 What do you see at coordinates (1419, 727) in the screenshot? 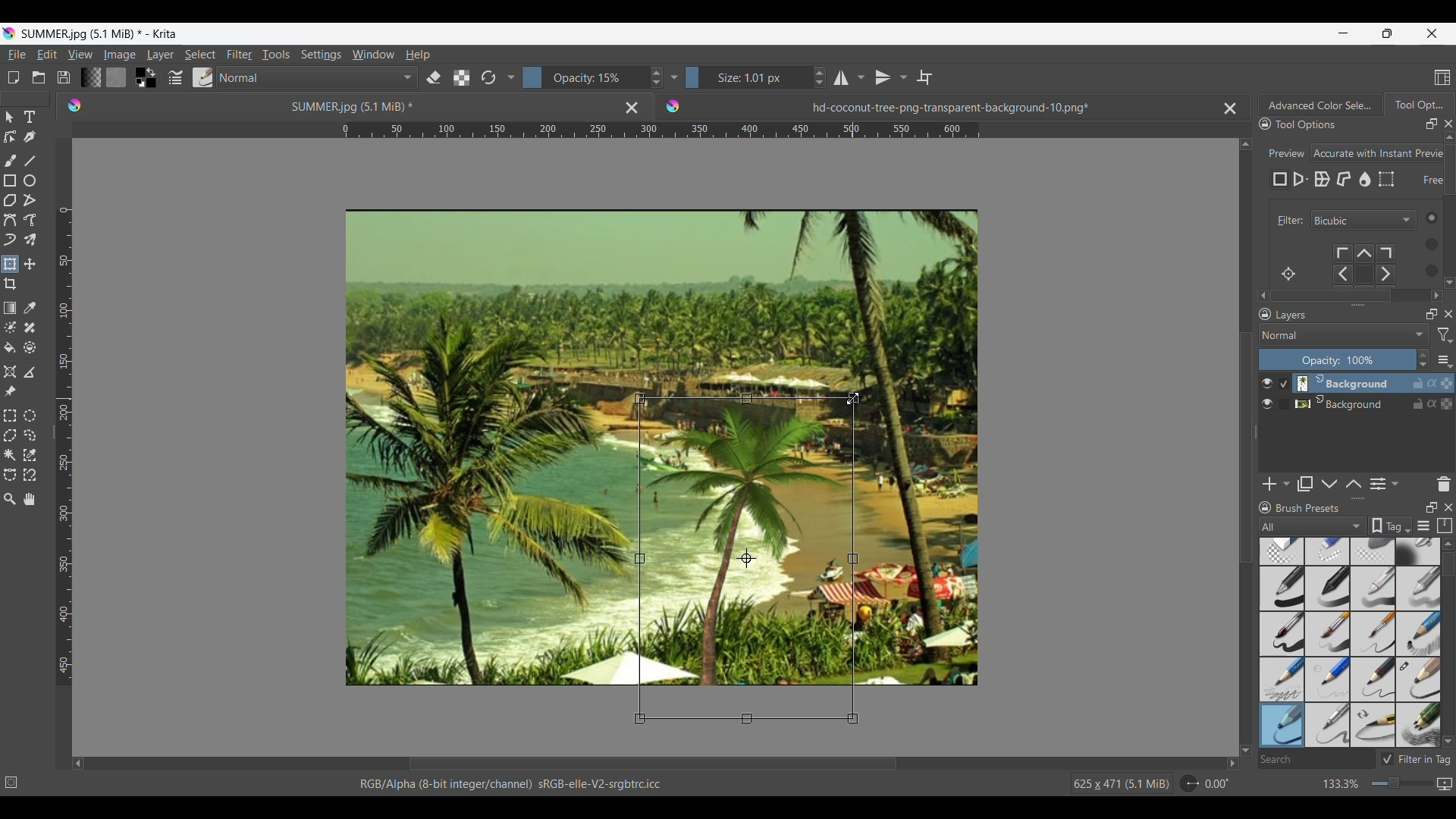
I see `ink pen` at bounding box center [1419, 727].